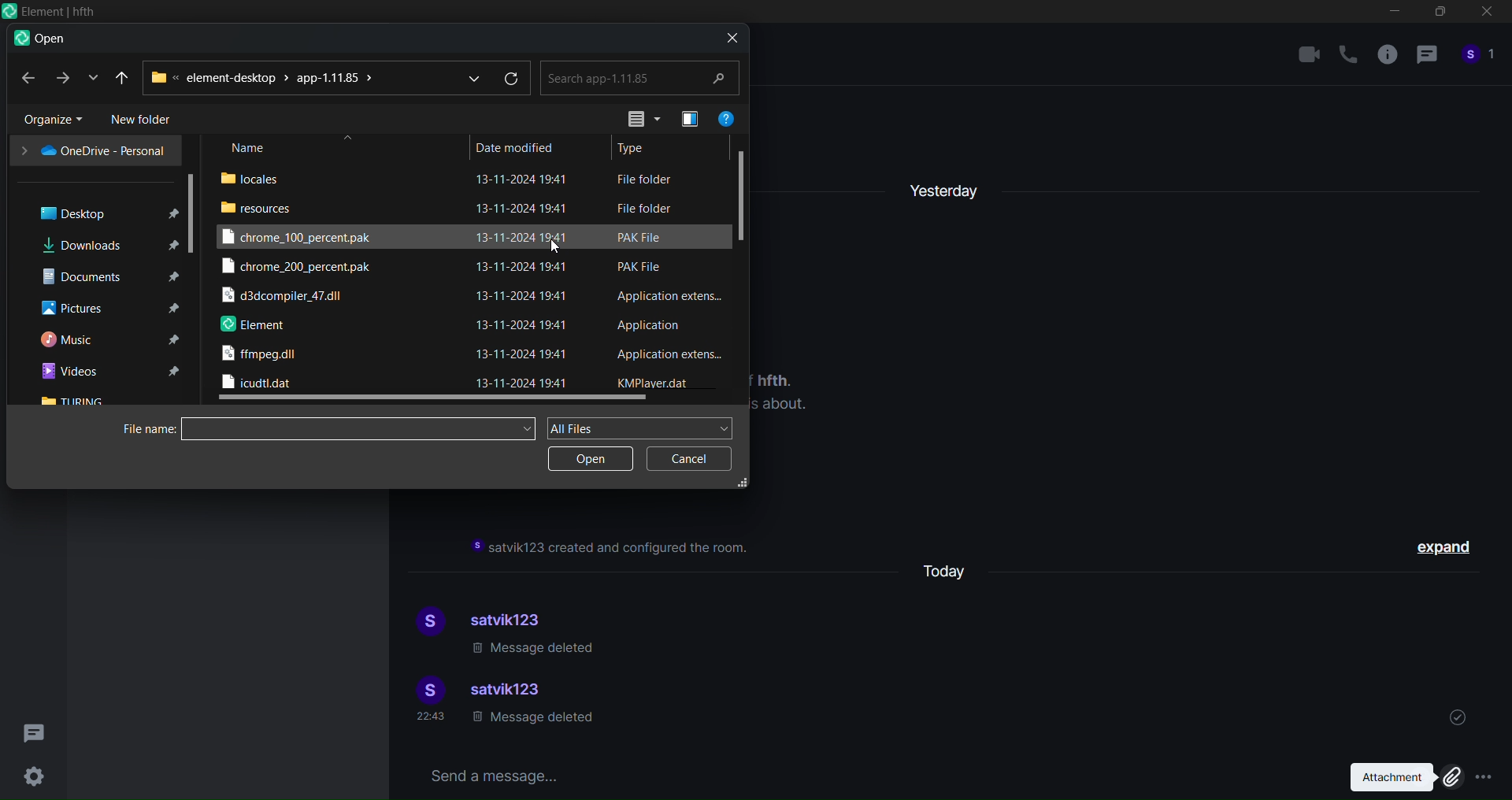 The width and height of the screenshot is (1512, 800). I want to click on time, so click(432, 717).